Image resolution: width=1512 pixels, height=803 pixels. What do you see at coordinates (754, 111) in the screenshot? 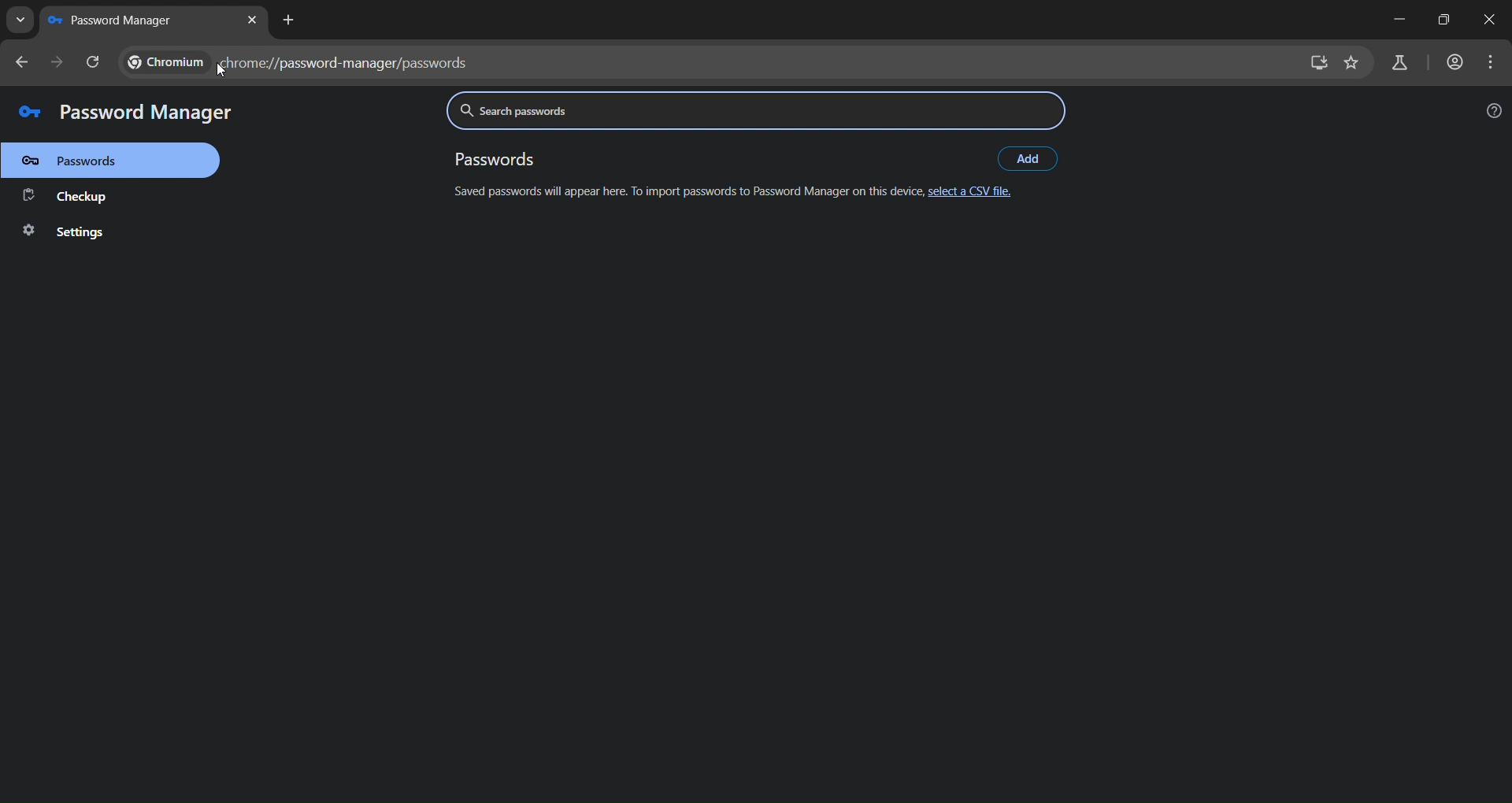
I see `search passwords` at bounding box center [754, 111].